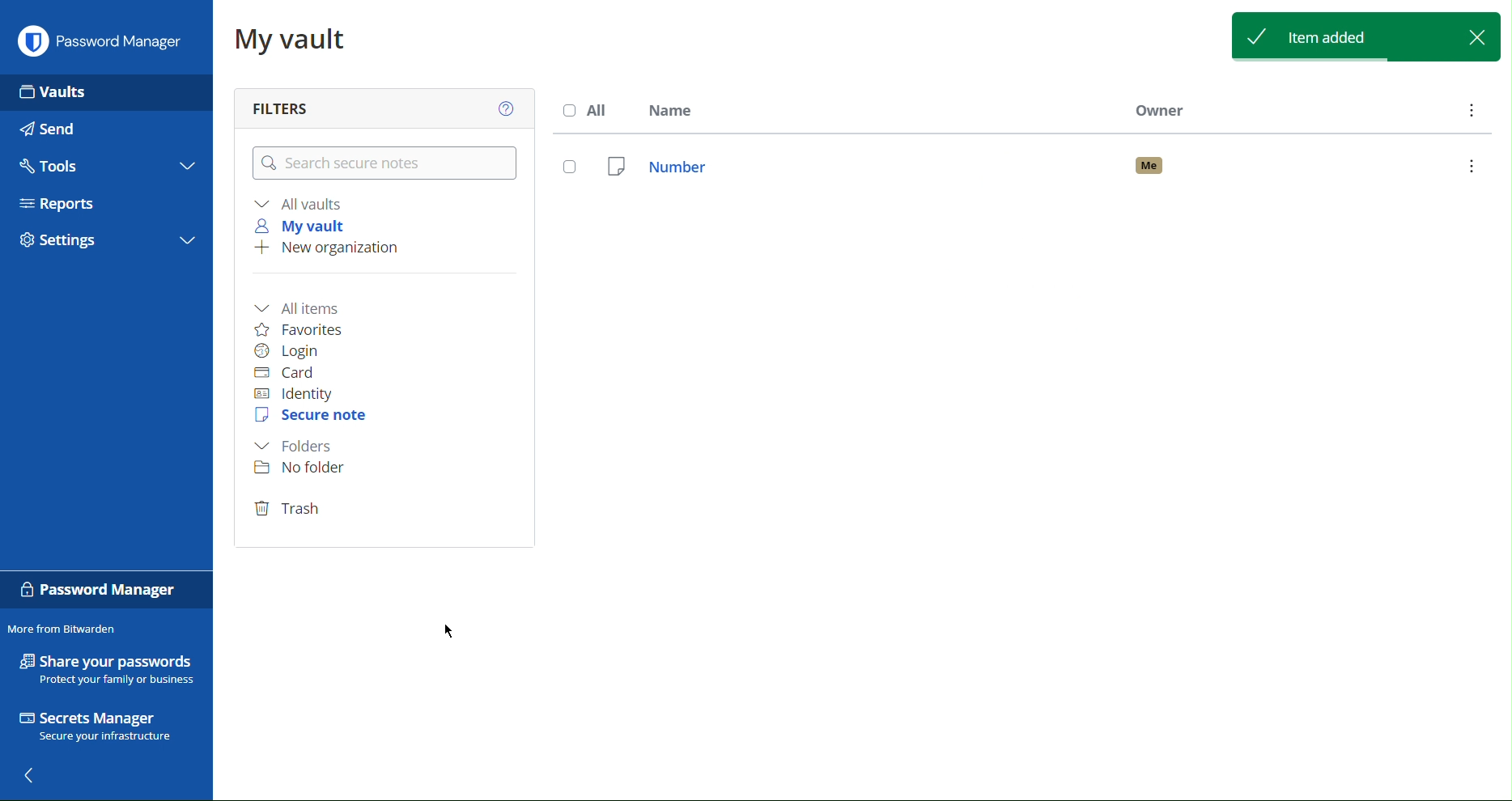  I want to click on All items, so click(304, 306).